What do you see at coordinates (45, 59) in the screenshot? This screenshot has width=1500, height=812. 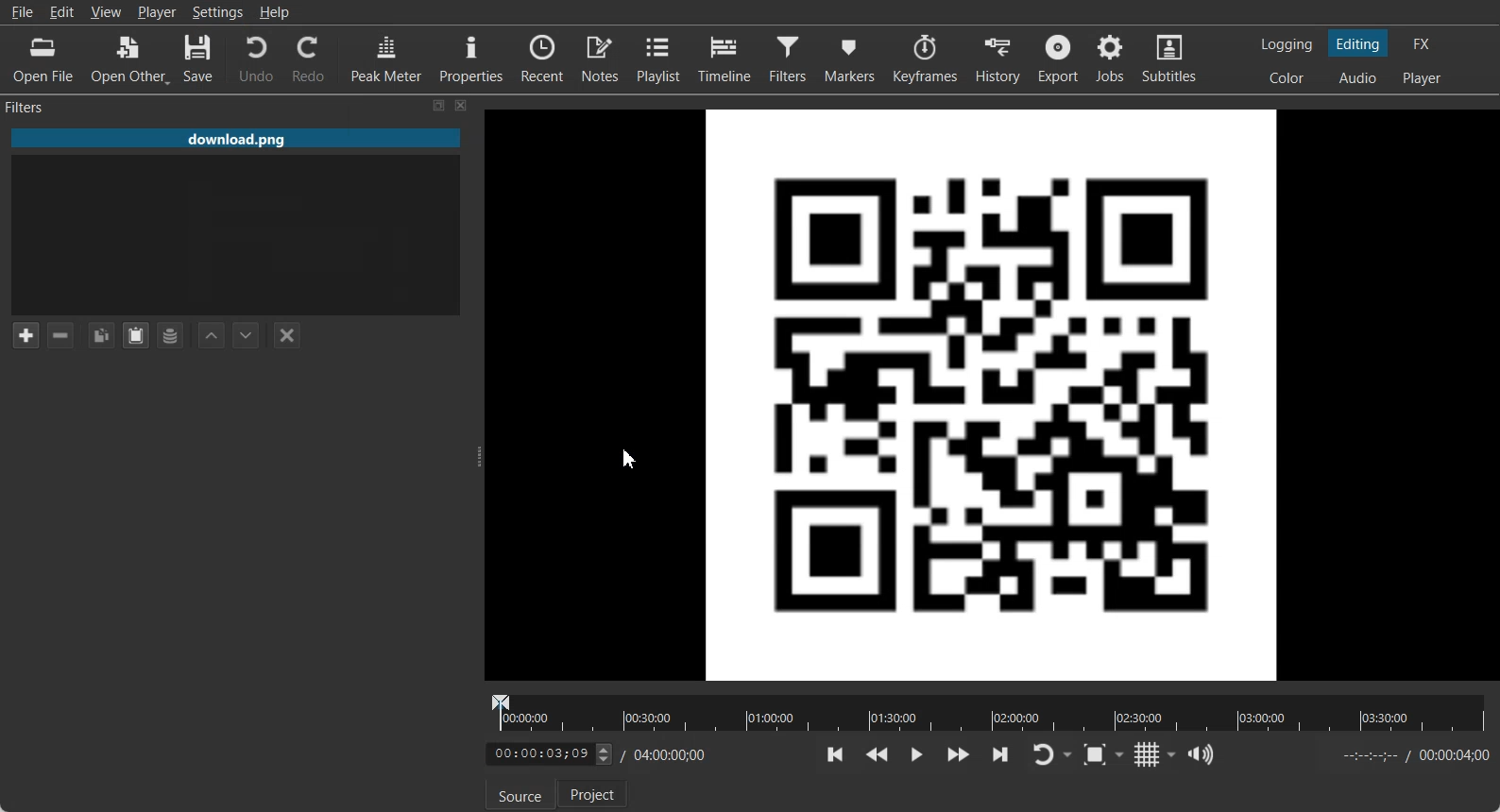 I see `Open File` at bounding box center [45, 59].